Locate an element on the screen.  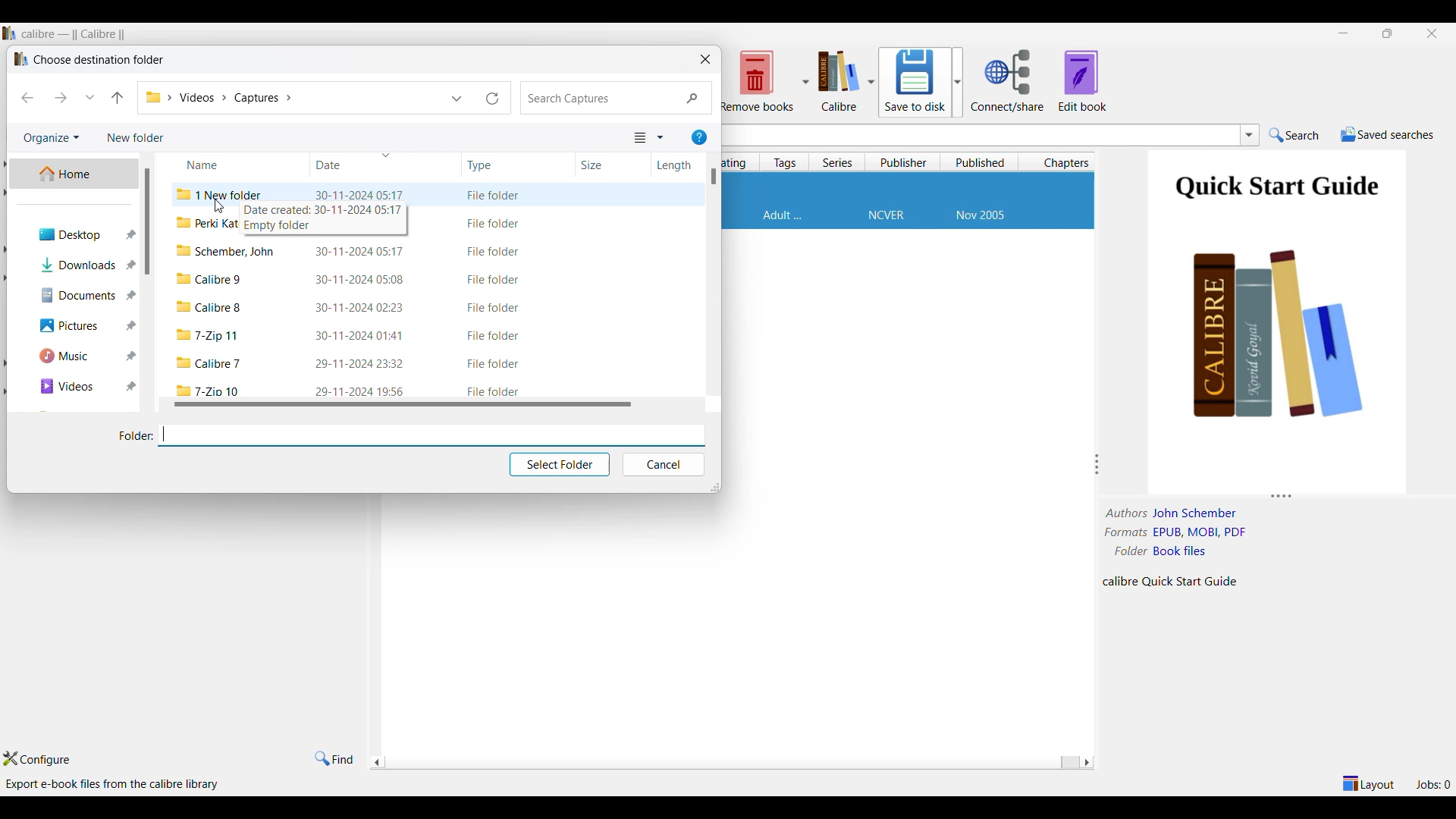
folder is located at coordinates (211, 363).